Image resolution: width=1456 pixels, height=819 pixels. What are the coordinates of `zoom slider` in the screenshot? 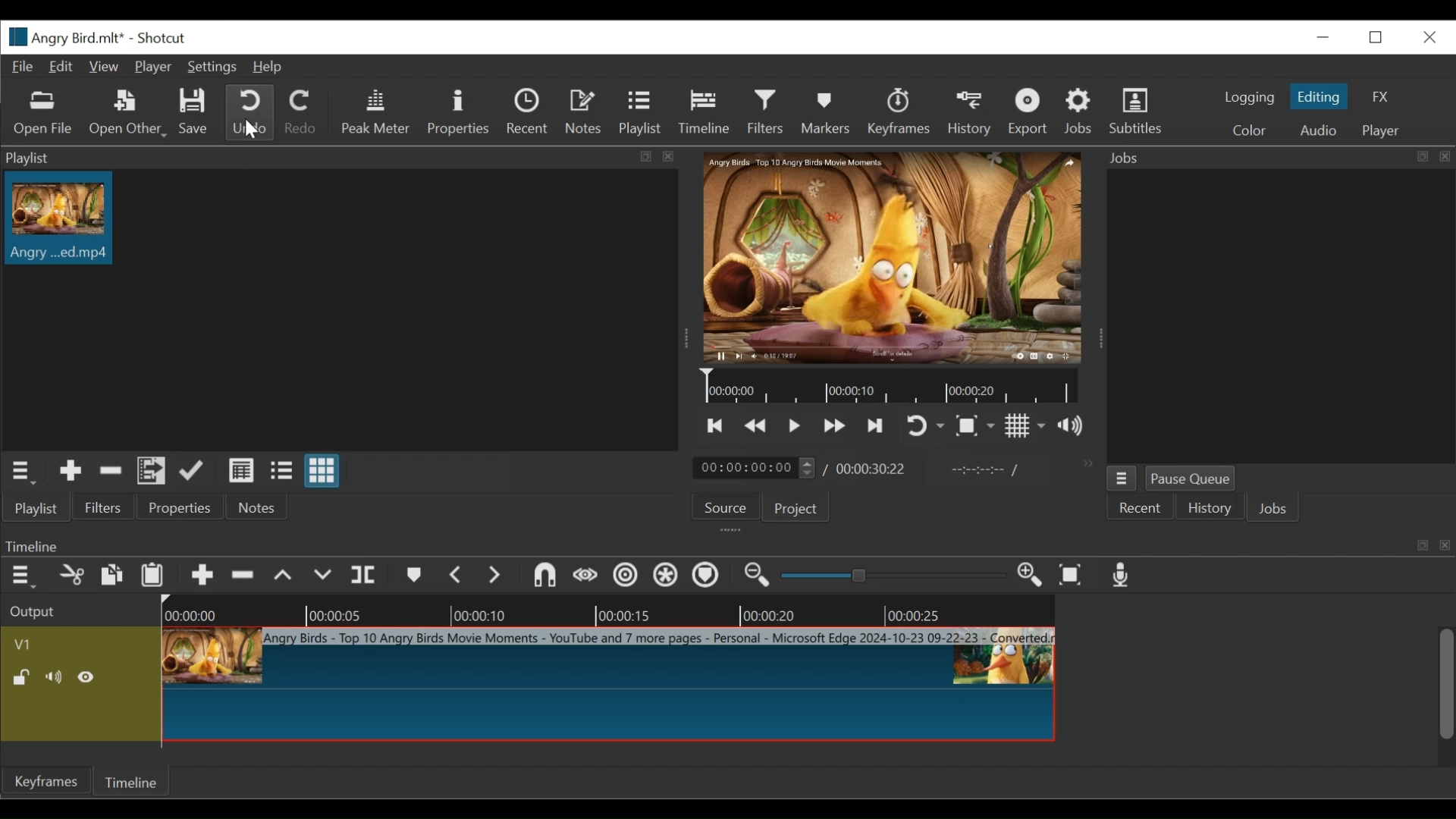 It's located at (890, 577).